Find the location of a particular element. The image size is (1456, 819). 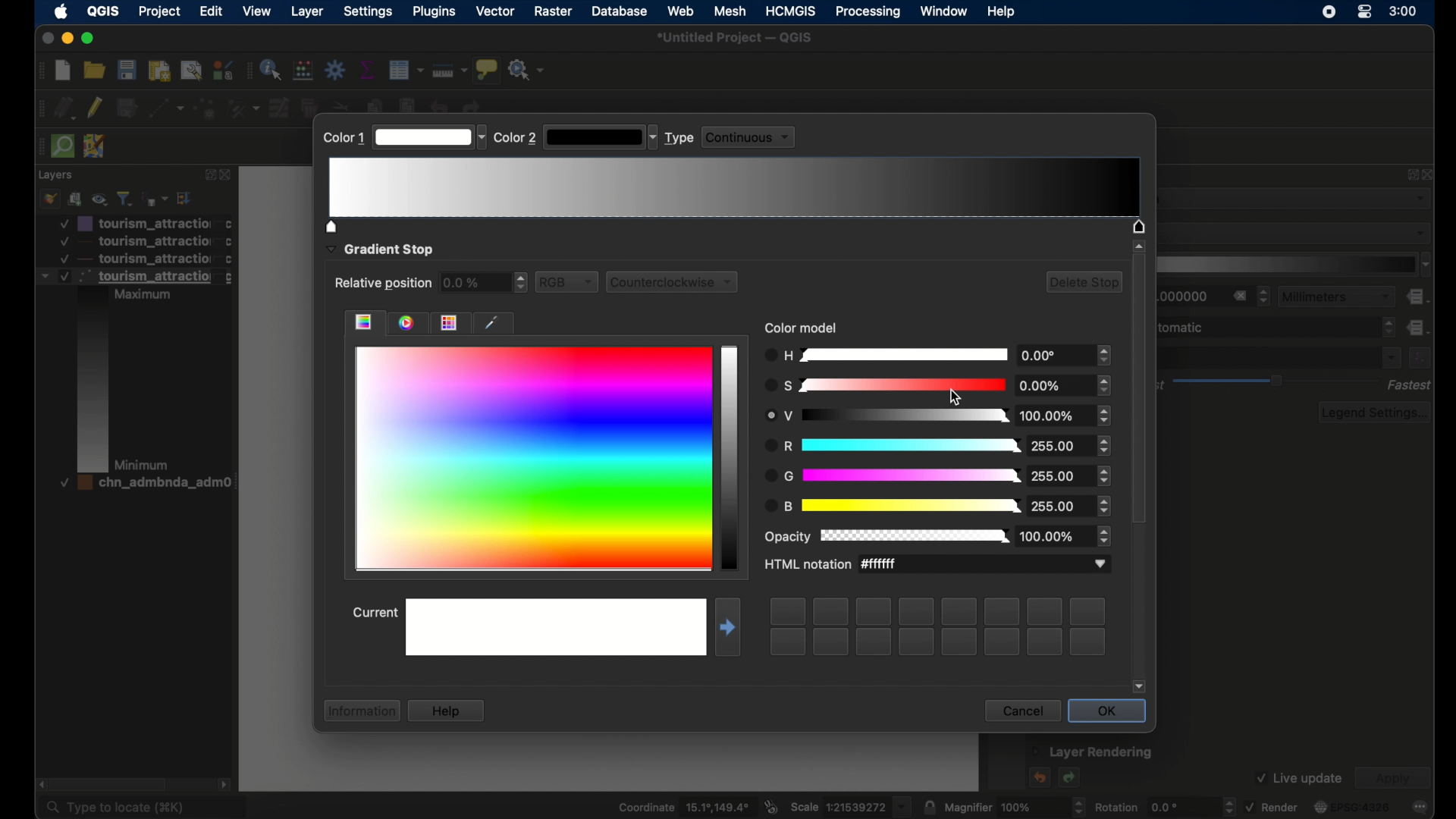

messages is located at coordinates (1421, 808).